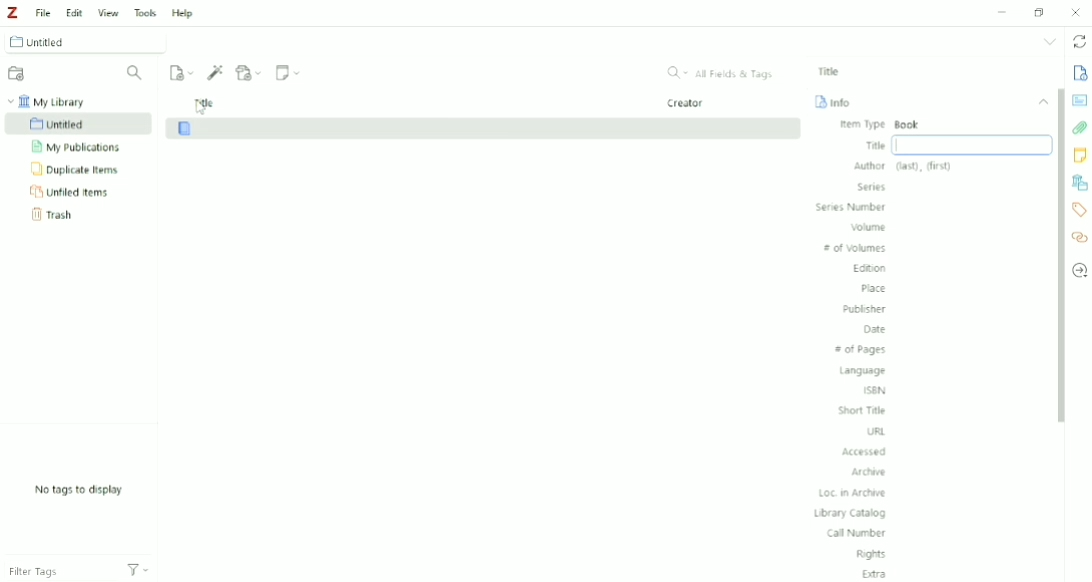 The image size is (1092, 582). I want to click on My Library, so click(51, 101).